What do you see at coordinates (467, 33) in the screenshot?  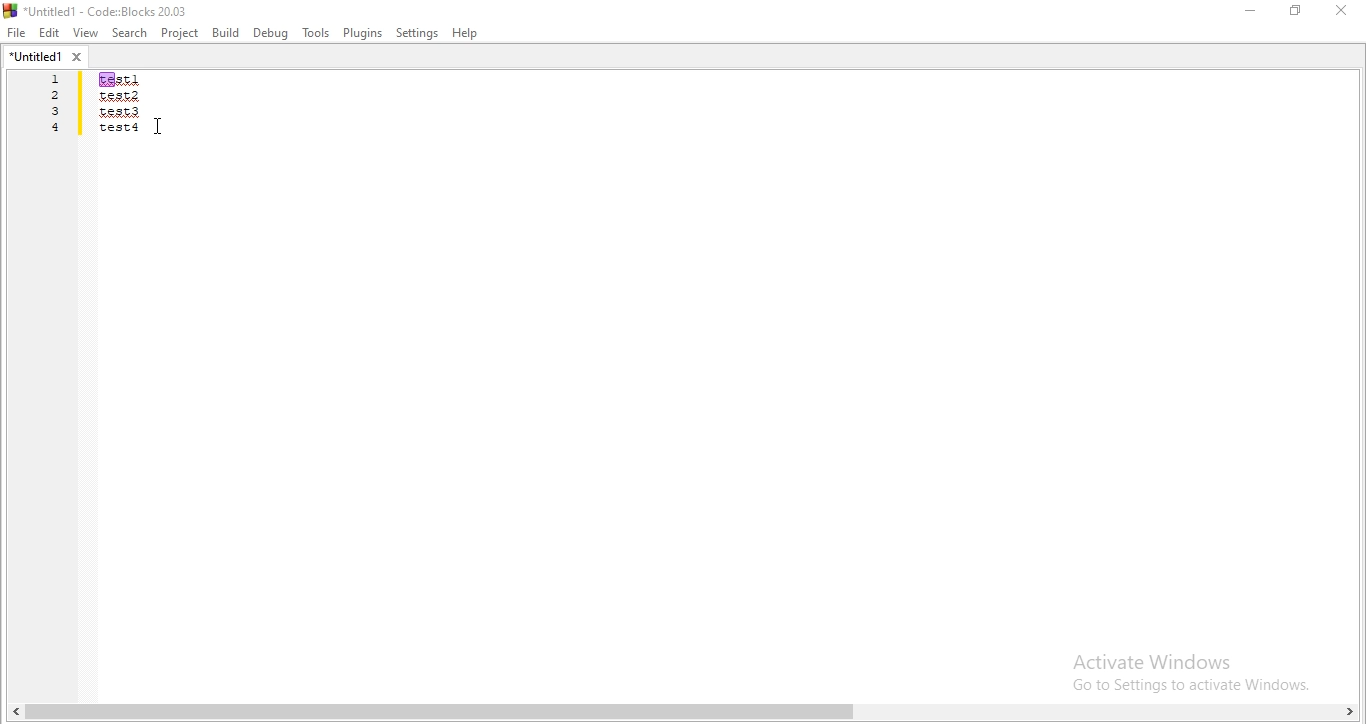 I see `help` at bounding box center [467, 33].